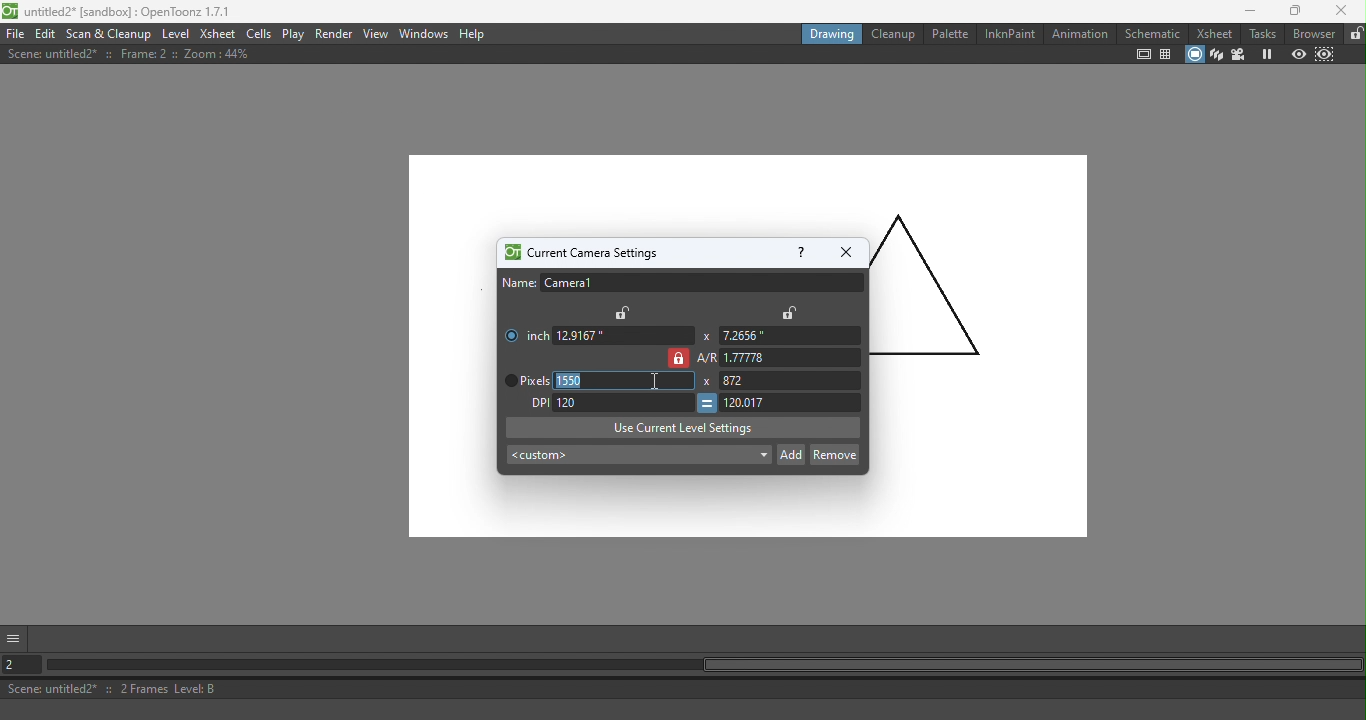 This screenshot has height=720, width=1366. What do you see at coordinates (705, 336) in the screenshot?
I see `X` at bounding box center [705, 336].